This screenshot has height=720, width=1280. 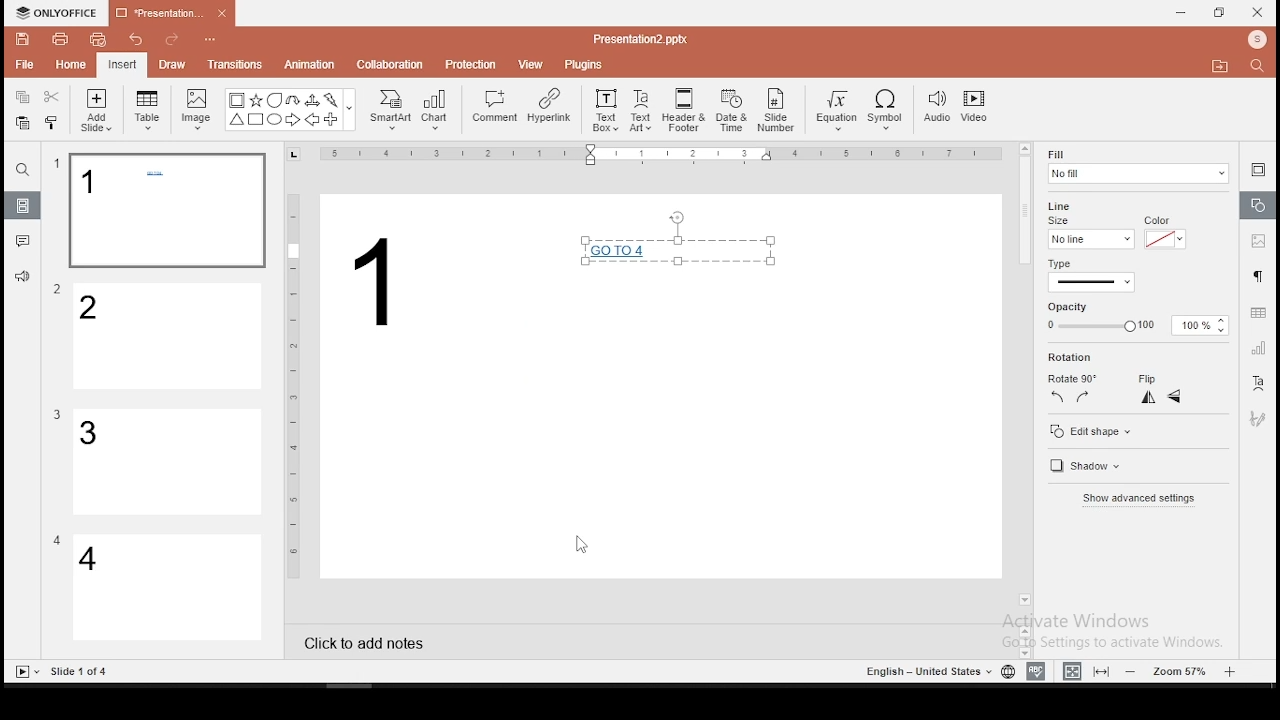 I want to click on image settings, so click(x=1256, y=243).